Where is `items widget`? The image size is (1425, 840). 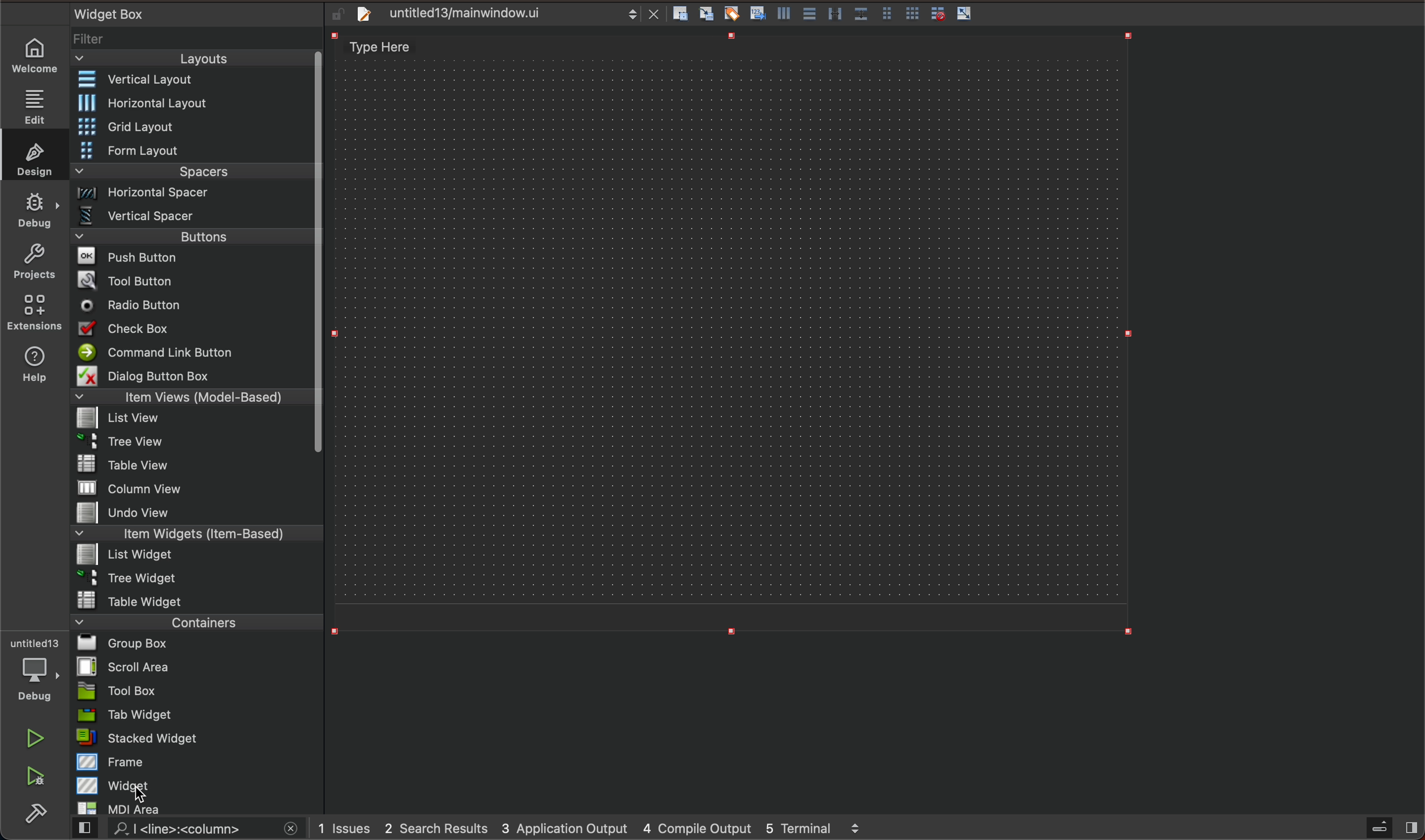 items widget is located at coordinates (192, 534).